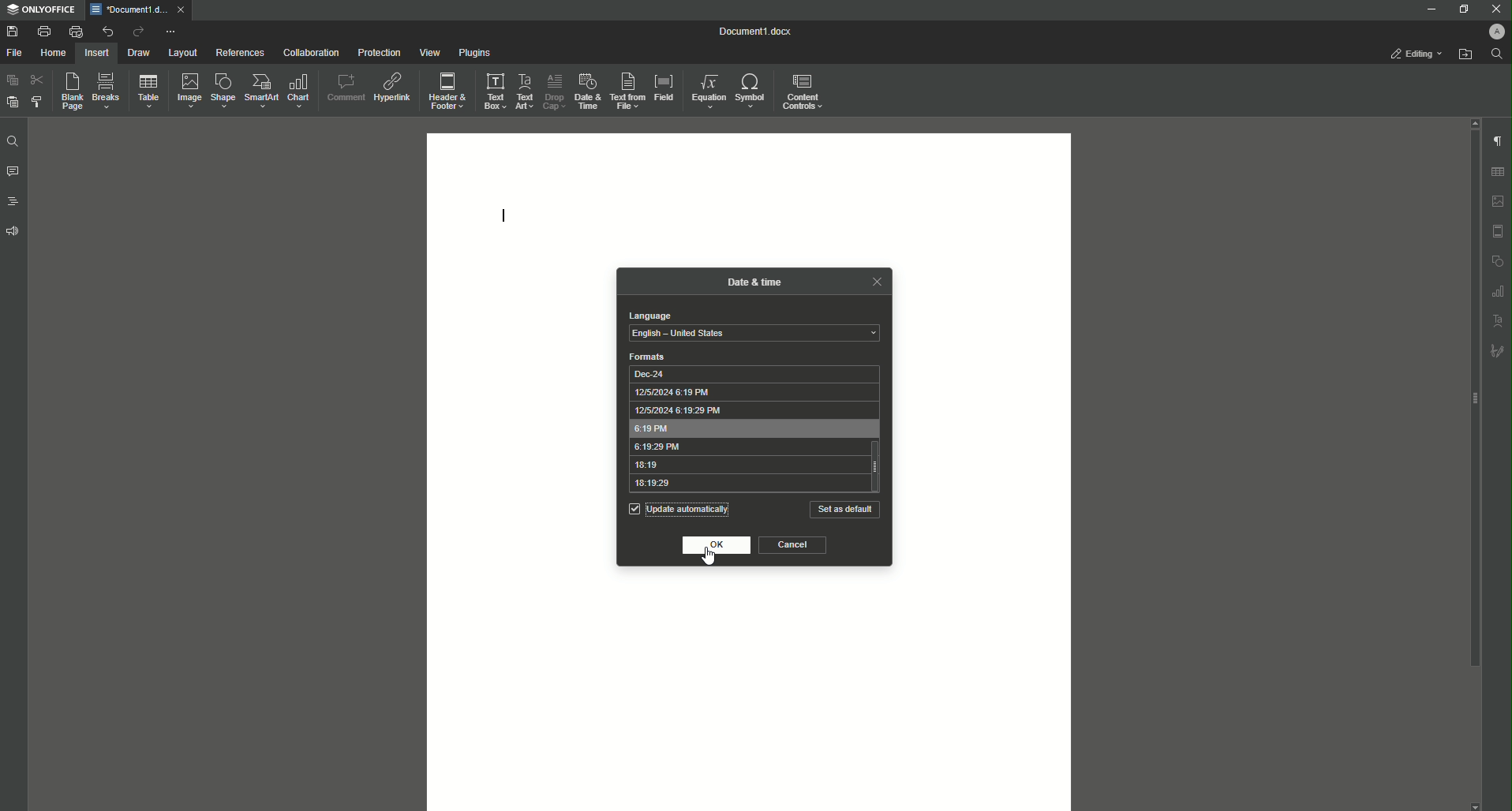 The width and height of the screenshot is (1512, 811). I want to click on Layout, so click(183, 53).